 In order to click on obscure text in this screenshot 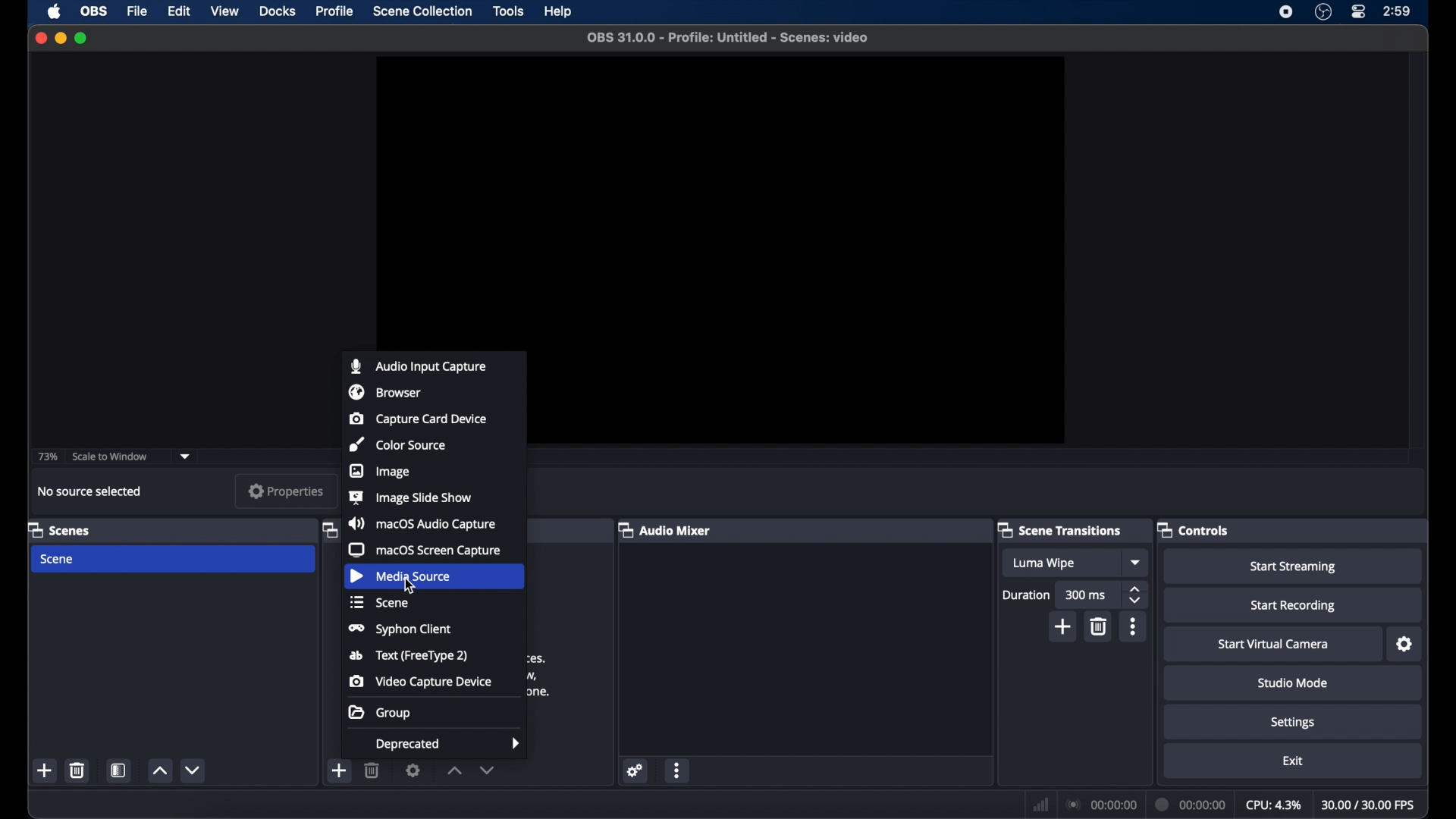, I will do `click(537, 675)`.